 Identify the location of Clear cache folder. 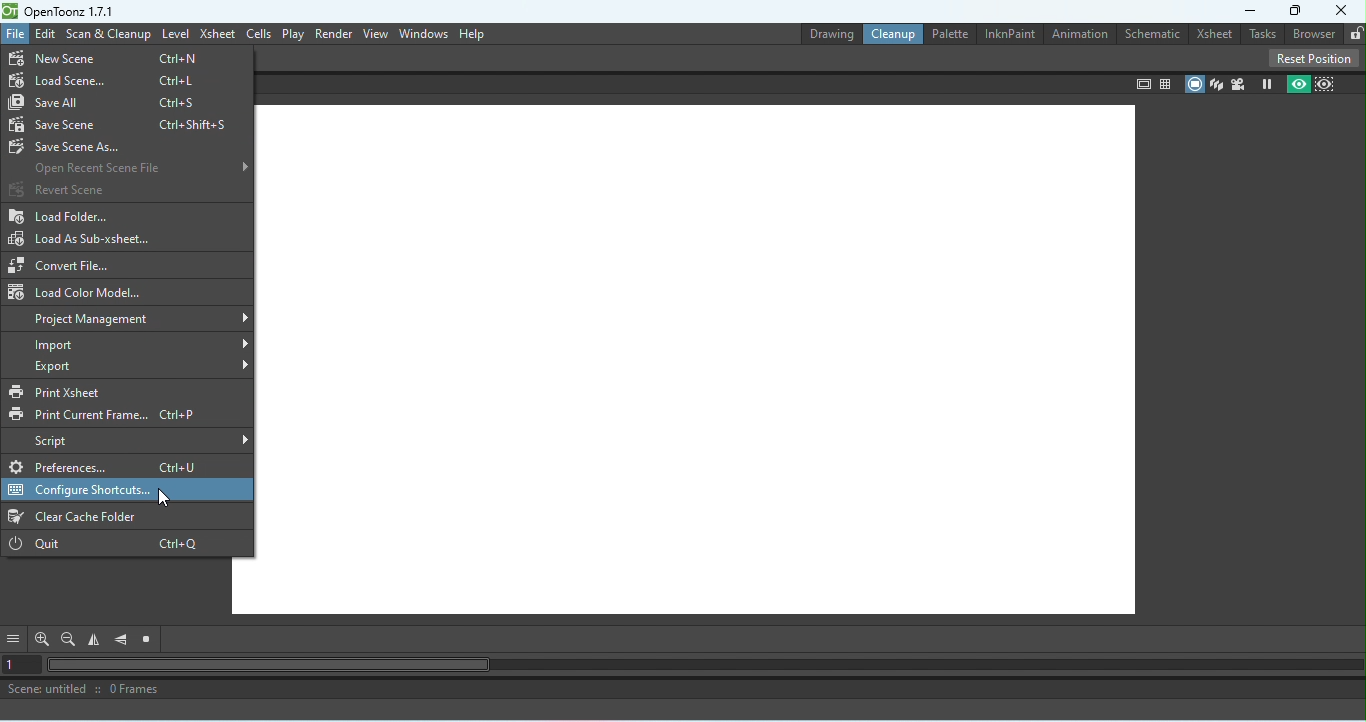
(87, 519).